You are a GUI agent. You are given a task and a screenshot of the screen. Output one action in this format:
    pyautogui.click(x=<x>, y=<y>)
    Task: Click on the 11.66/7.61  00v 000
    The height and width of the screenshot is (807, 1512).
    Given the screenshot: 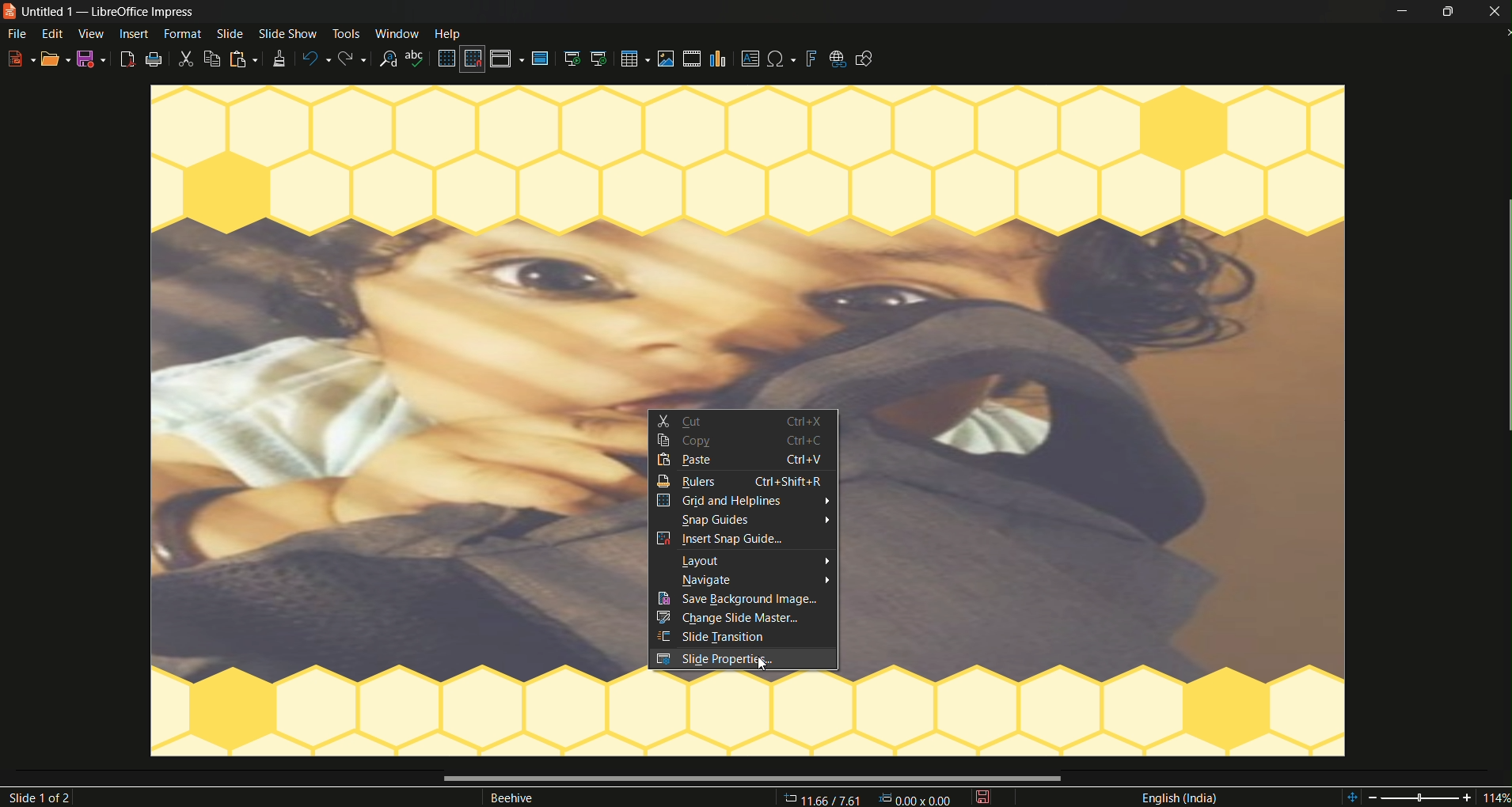 What is the action you would take?
    pyautogui.click(x=864, y=798)
    